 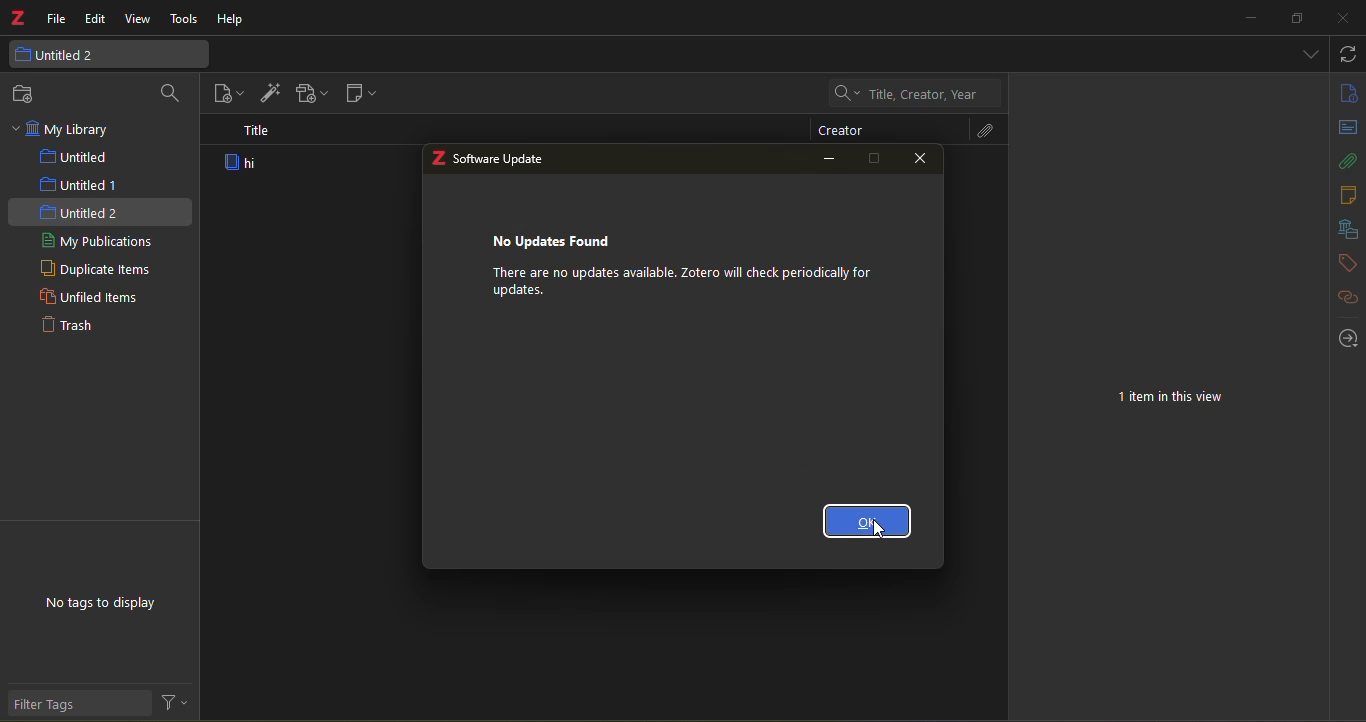 I want to click on sync, so click(x=1350, y=53).